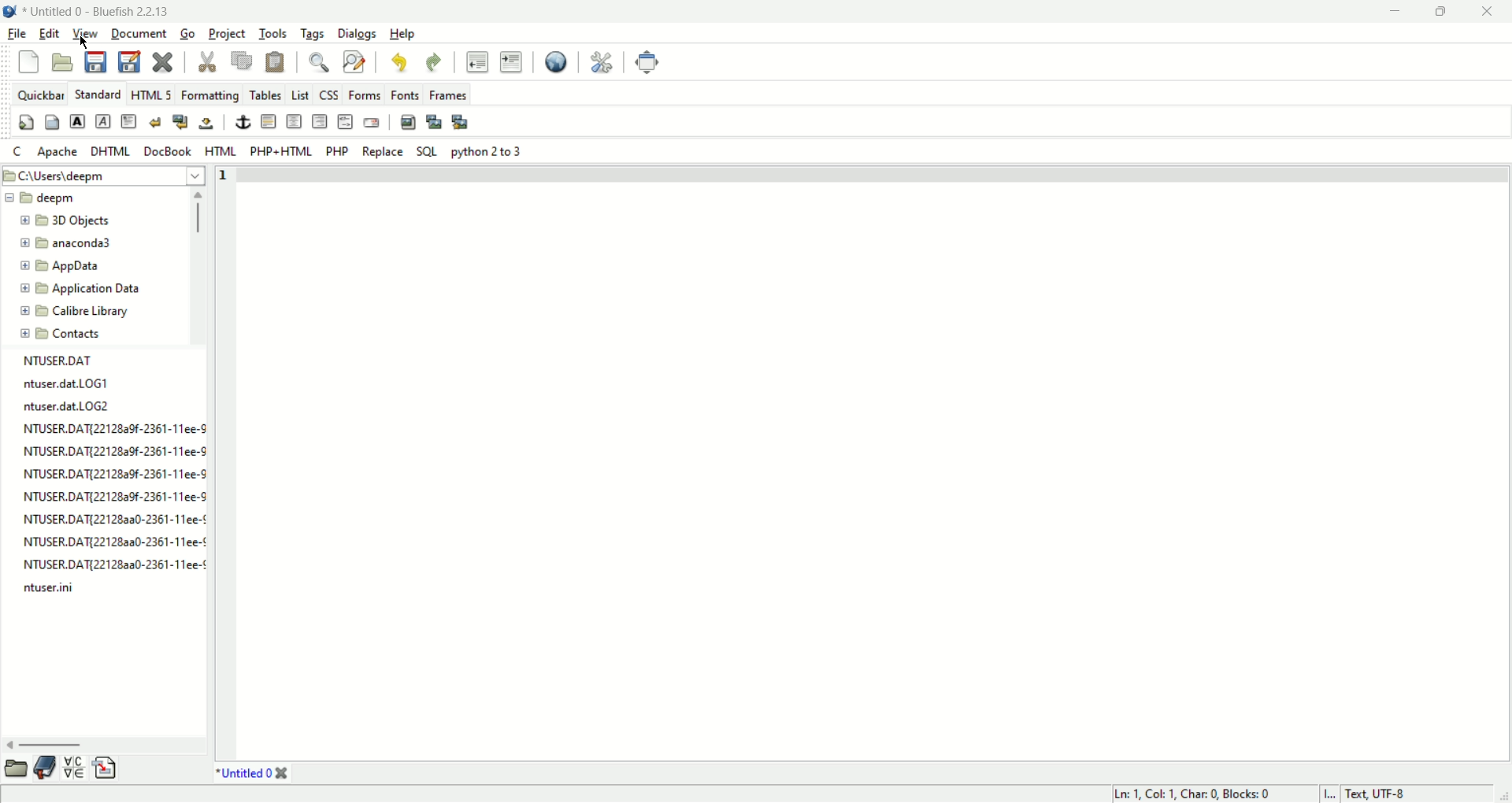 This screenshot has height=803, width=1512. I want to click on anaconda3, so click(77, 242).